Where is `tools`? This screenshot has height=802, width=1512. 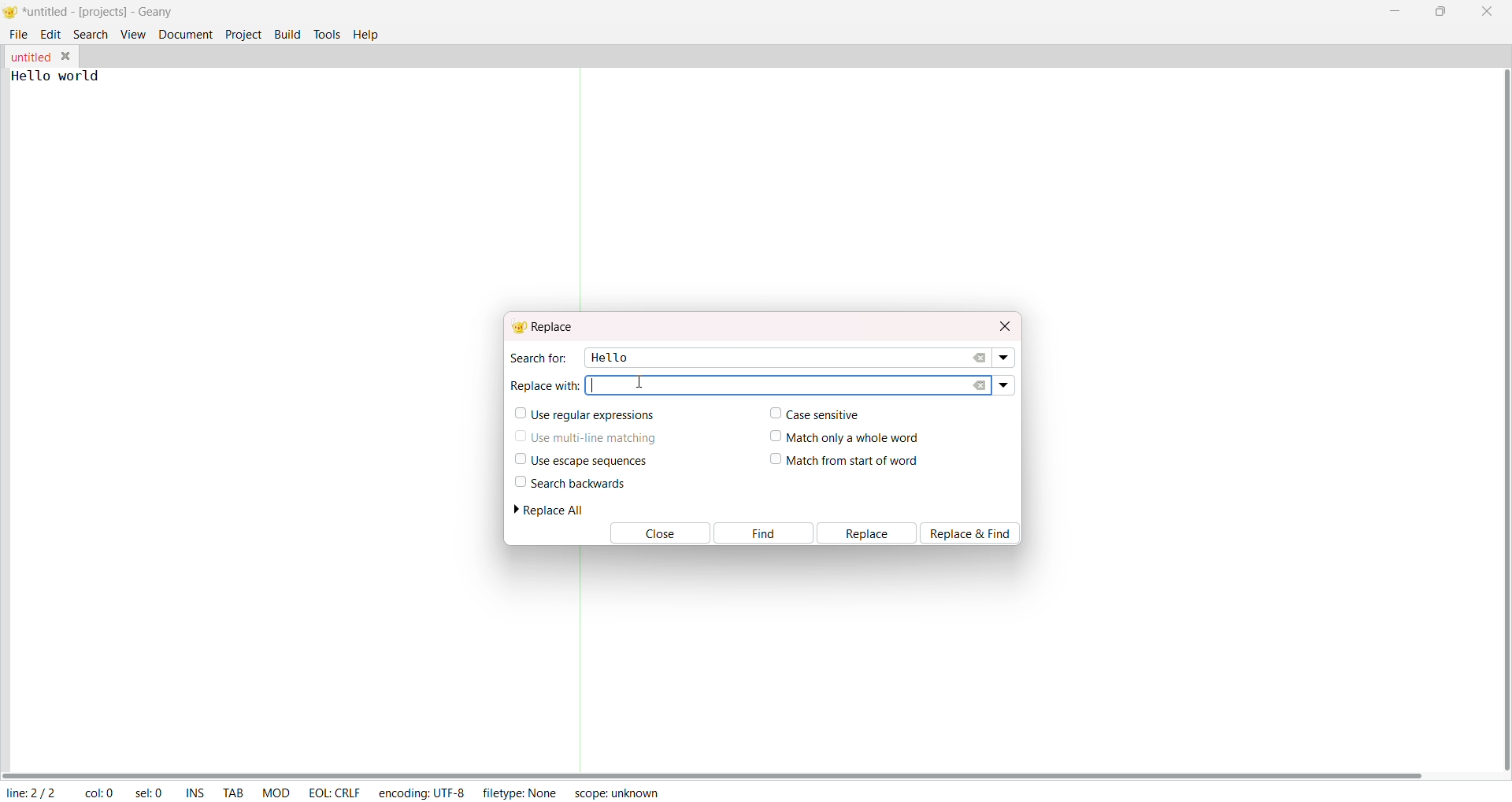 tools is located at coordinates (328, 33).